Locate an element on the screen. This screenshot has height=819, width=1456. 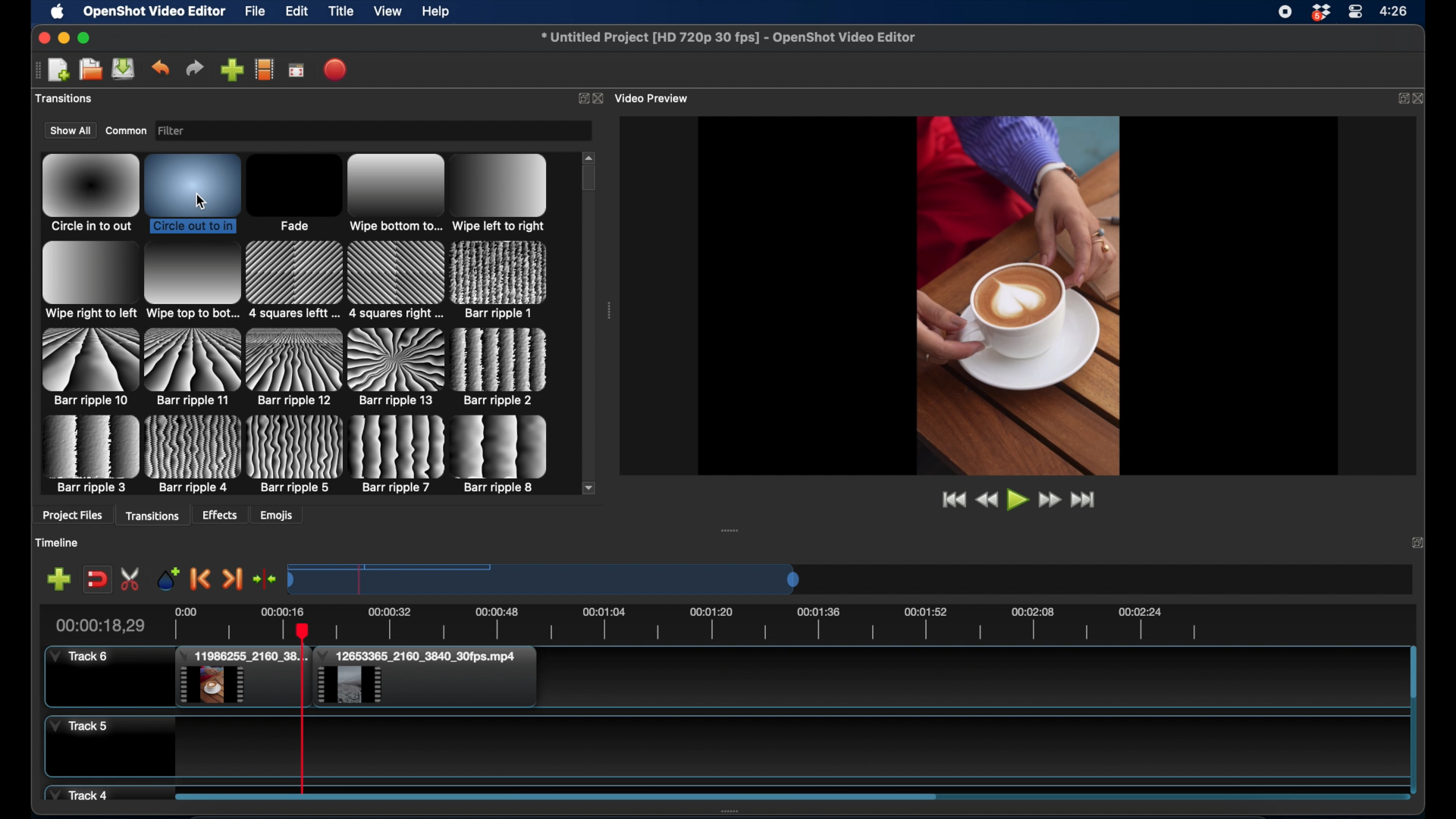
transitions is located at coordinates (154, 515).